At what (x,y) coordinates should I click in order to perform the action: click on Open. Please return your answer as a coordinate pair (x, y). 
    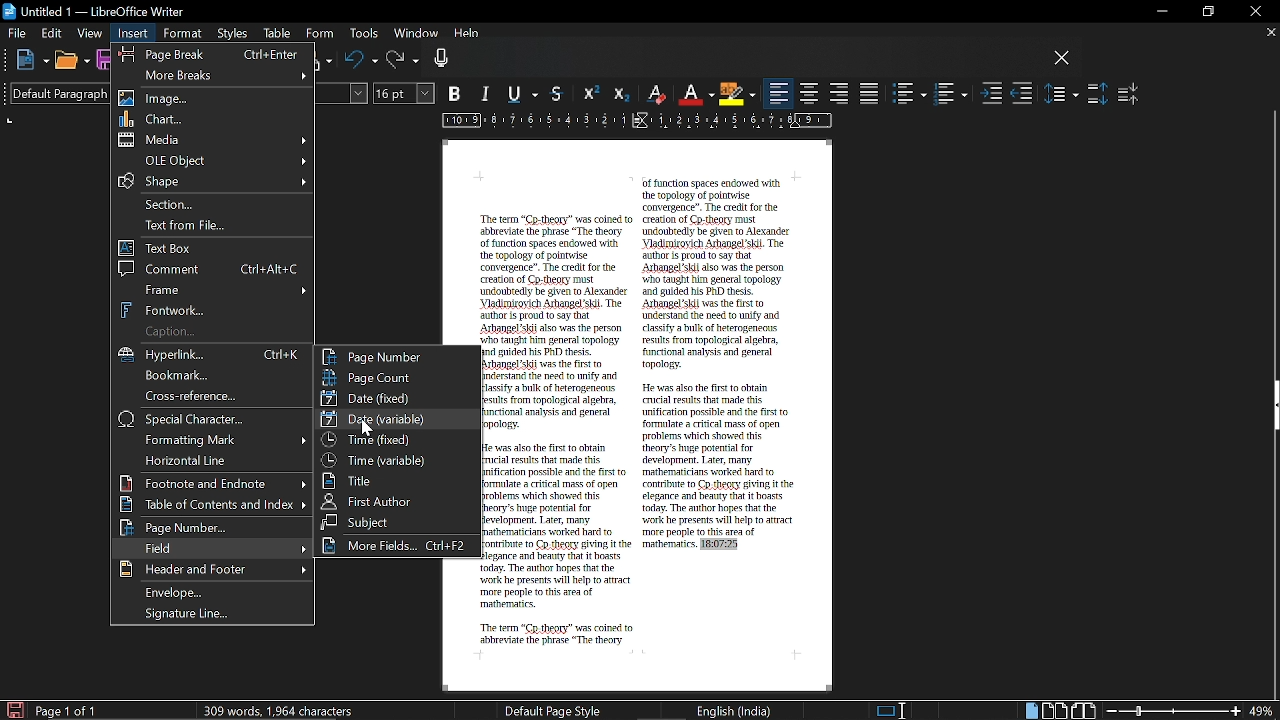
    Looking at the image, I should click on (71, 62).